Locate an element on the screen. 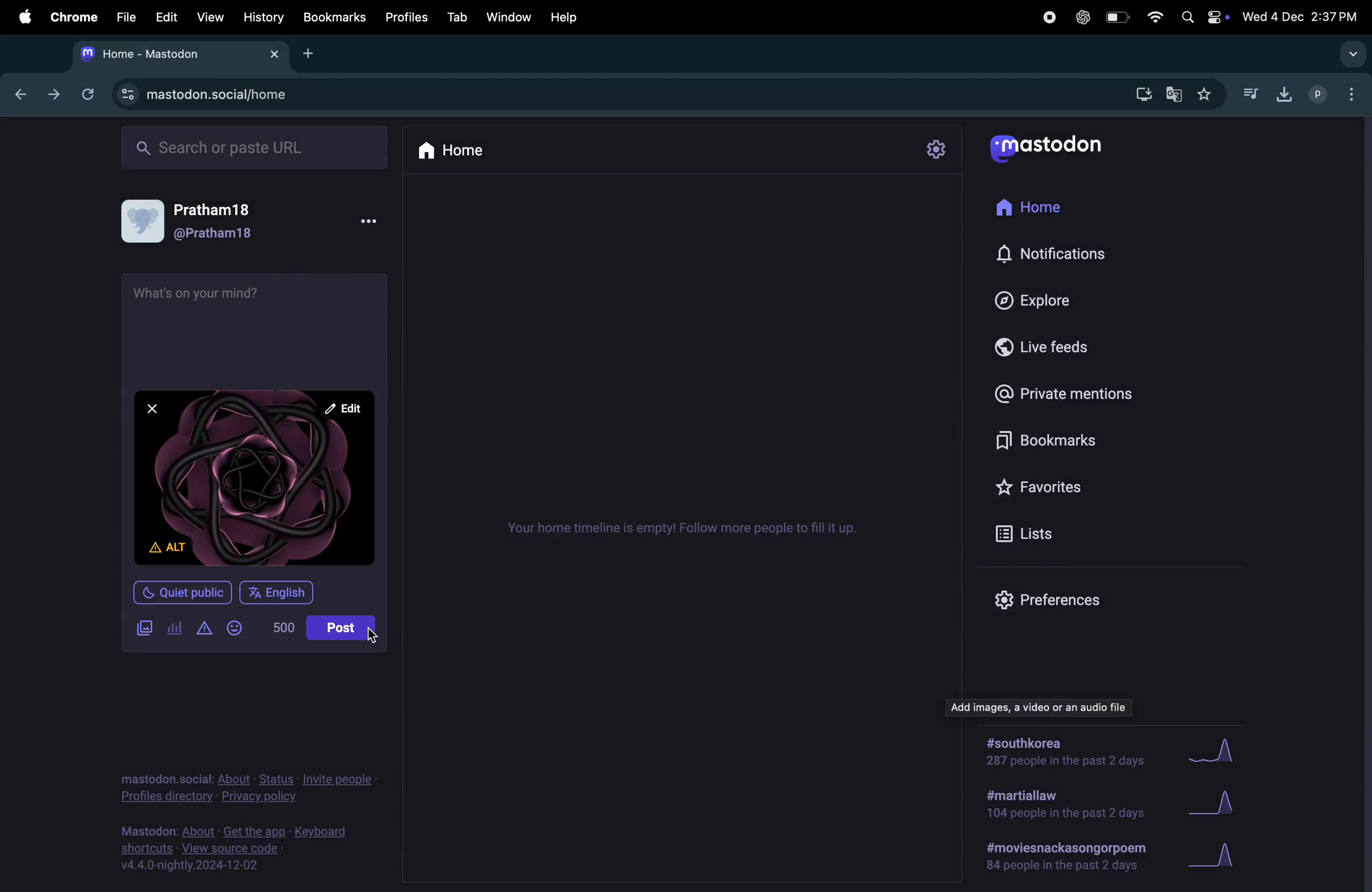 The width and height of the screenshot is (1372, 892). Tab is located at coordinates (459, 16).